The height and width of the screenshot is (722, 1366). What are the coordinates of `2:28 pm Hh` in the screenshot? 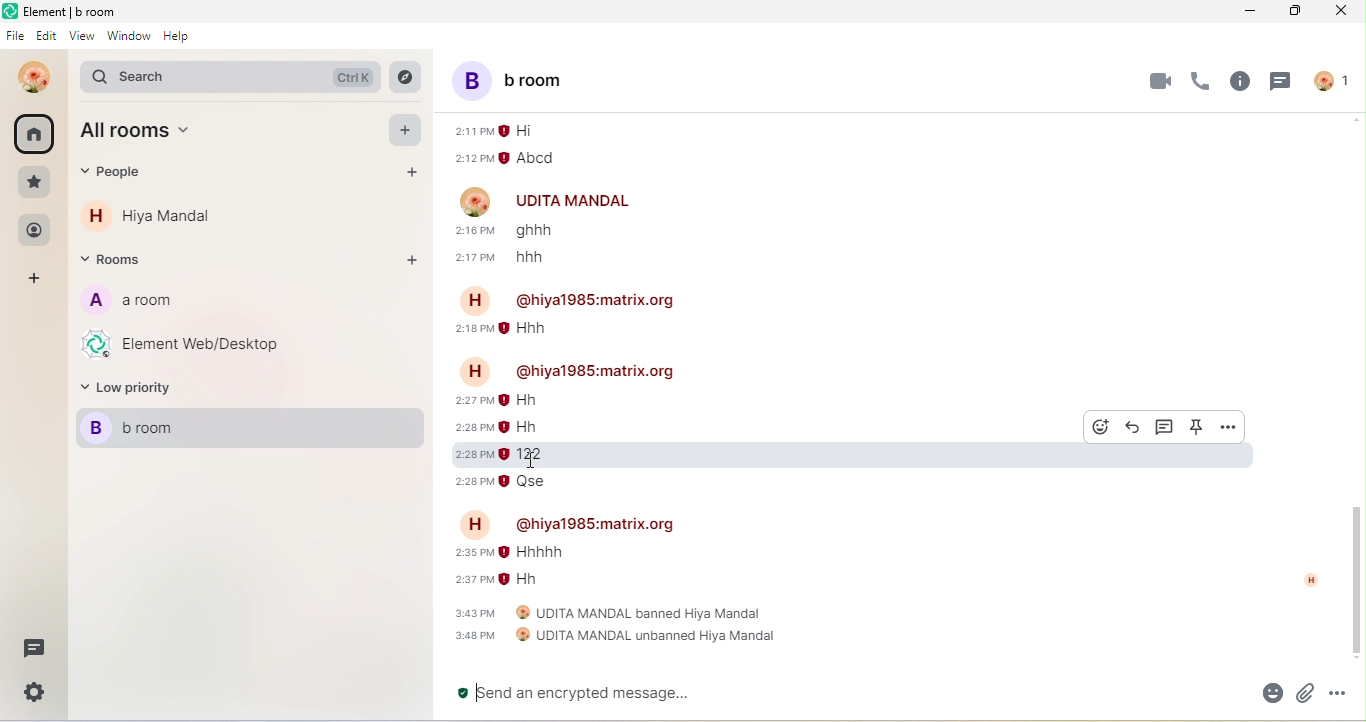 It's located at (497, 427).